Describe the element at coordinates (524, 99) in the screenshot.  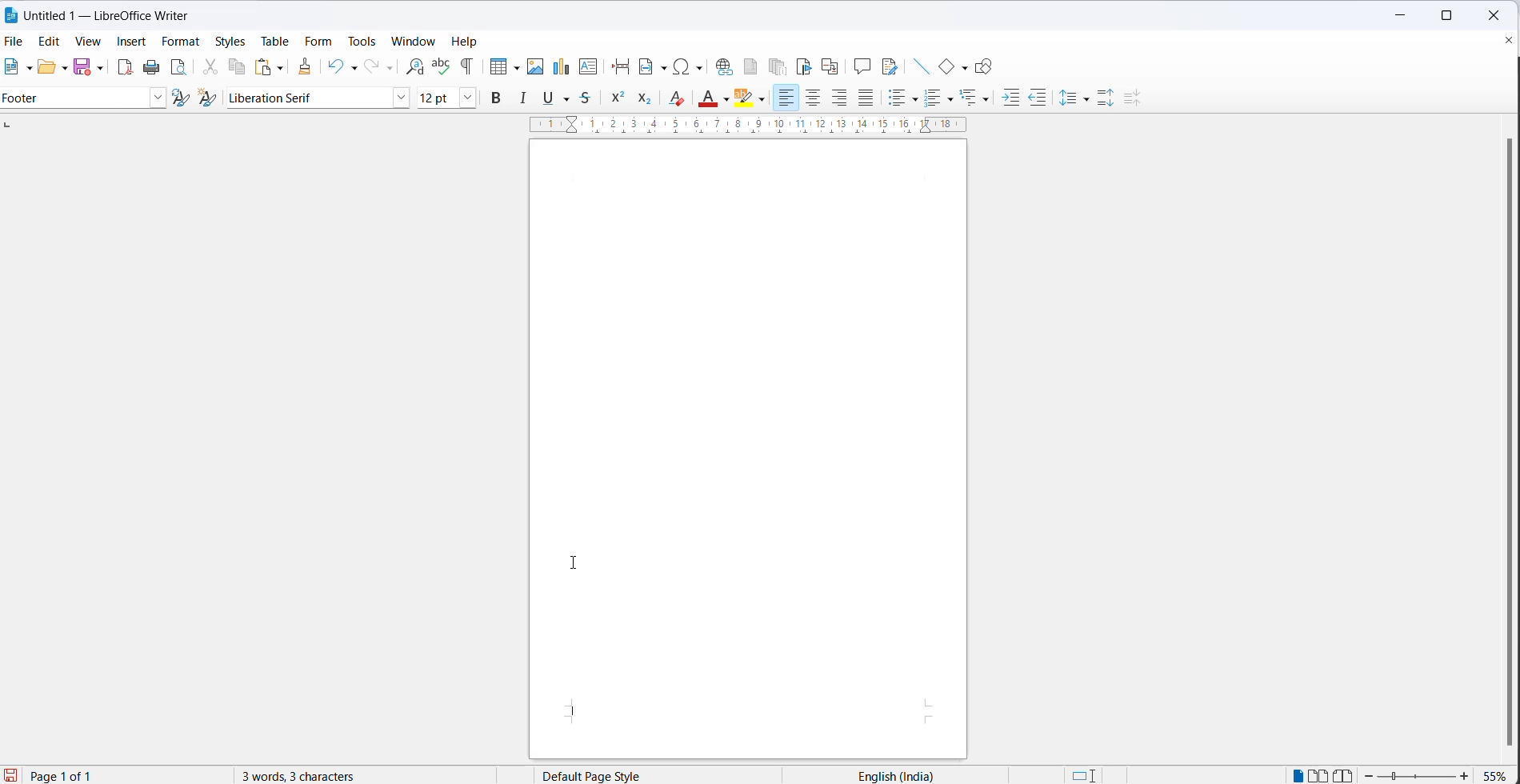
I see `italic` at that location.